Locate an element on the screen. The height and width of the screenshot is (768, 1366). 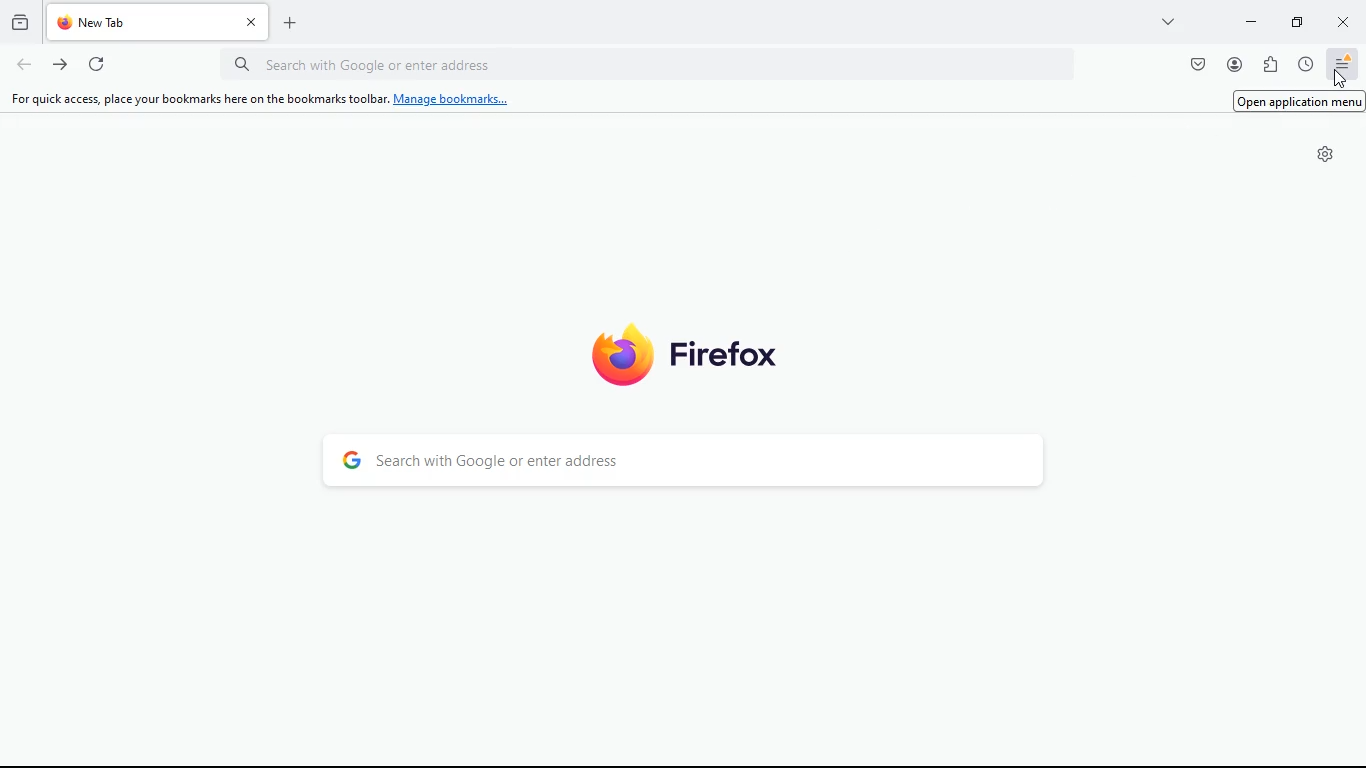
Open application menu is located at coordinates (1300, 101).